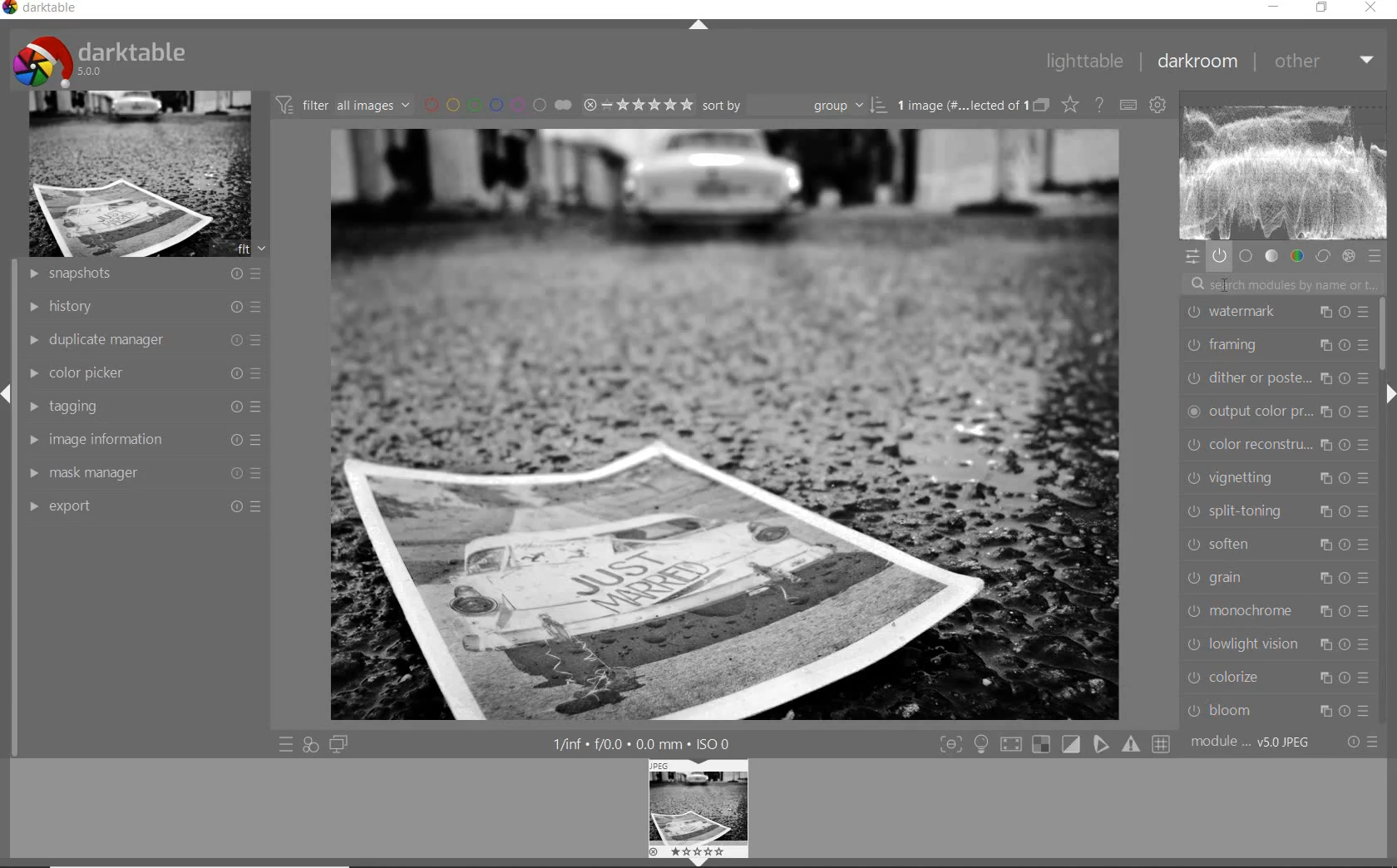 The image size is (1397, 868). What do you see at coordinates (1274, 6) in the screenshot?
I see `minimize` at bounding box center [1274, 6].